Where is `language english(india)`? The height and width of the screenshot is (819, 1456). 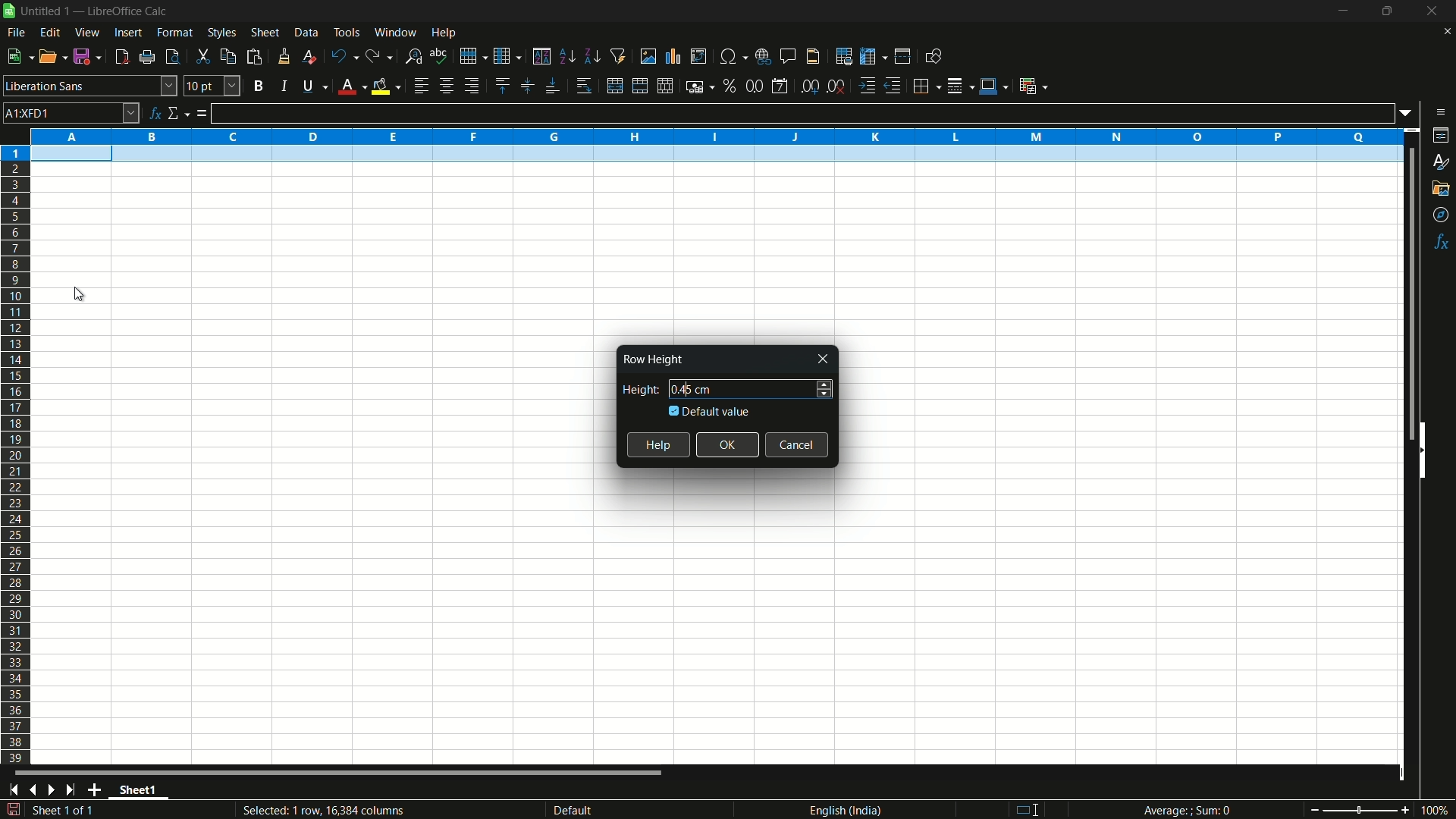
language english(india) is located at coordinates (841, 810).